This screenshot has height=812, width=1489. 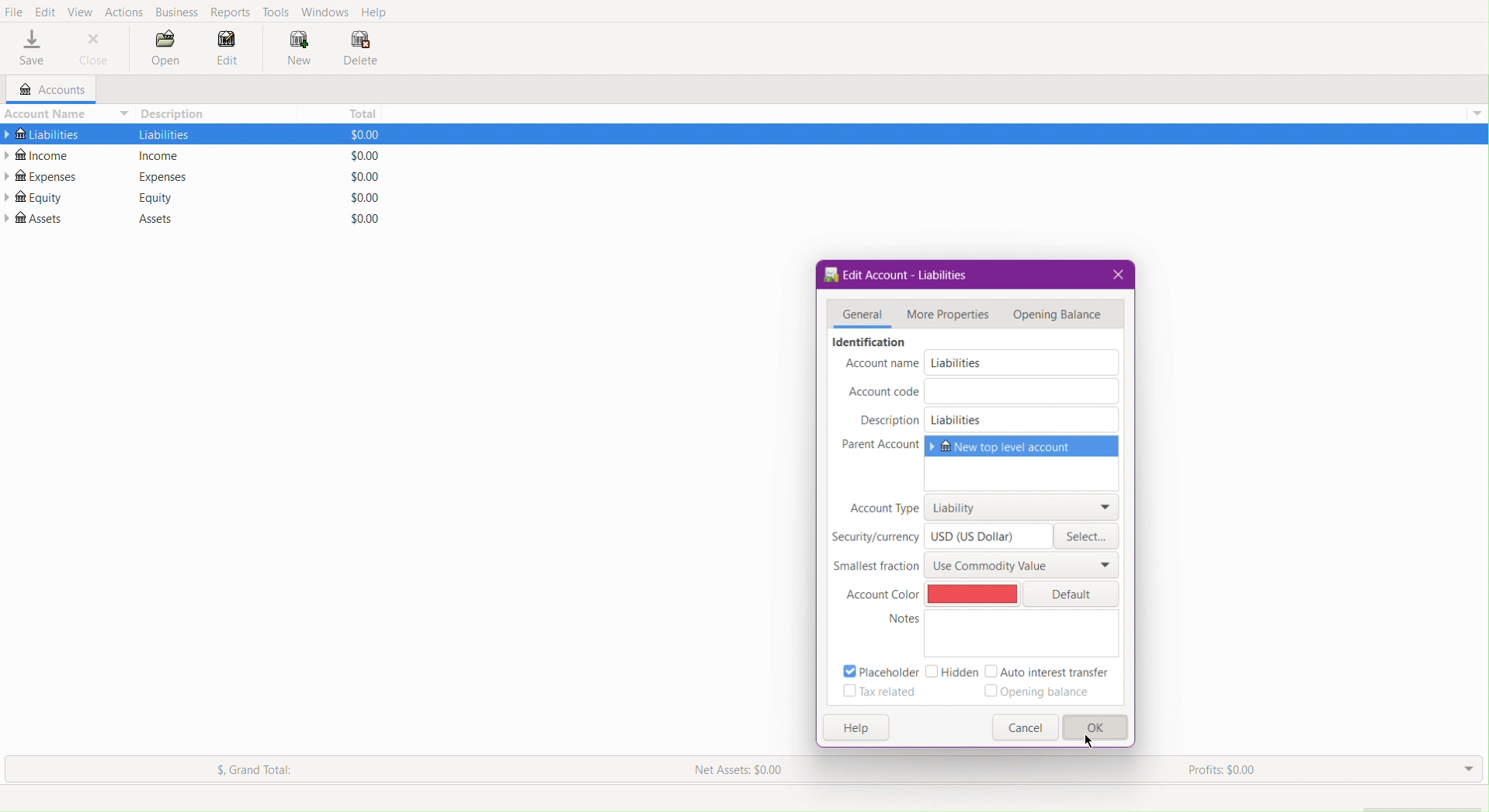 I want to click on Description, so click(x=889, y=418).